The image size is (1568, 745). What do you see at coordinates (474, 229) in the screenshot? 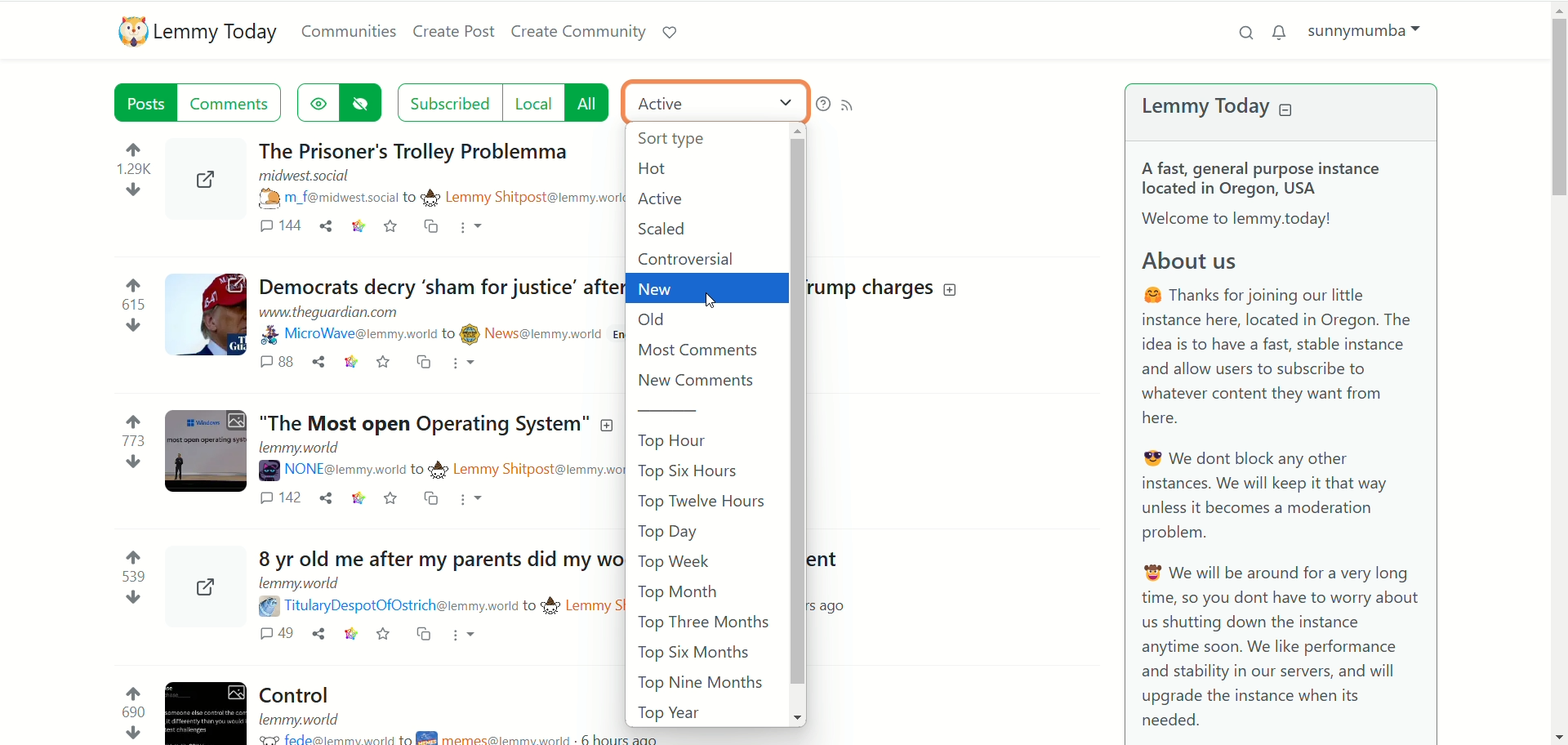
I see `more` at bounding box center [474, 229].